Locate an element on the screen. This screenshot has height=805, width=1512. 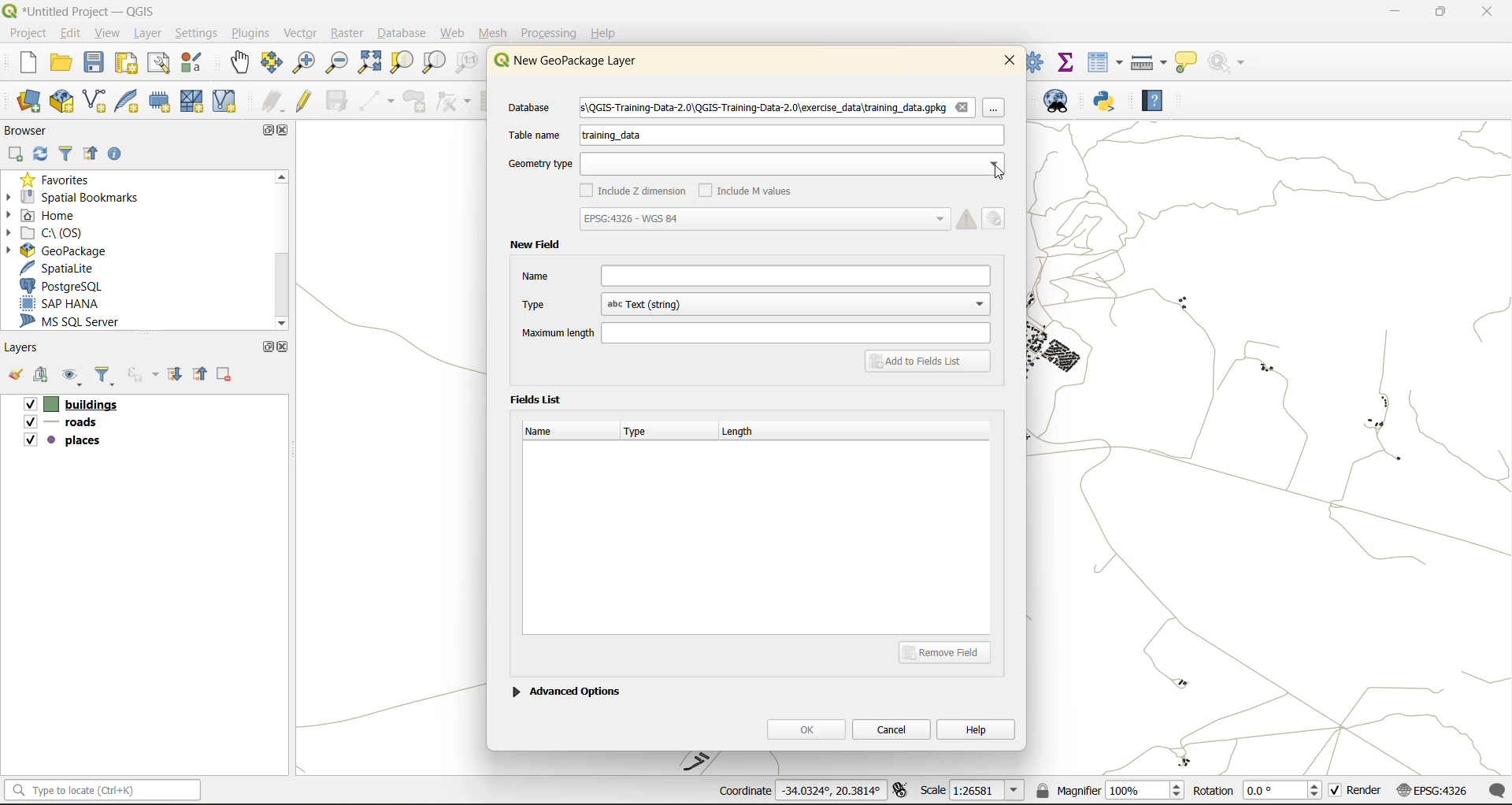
ok is located at coordinates (806, 729).